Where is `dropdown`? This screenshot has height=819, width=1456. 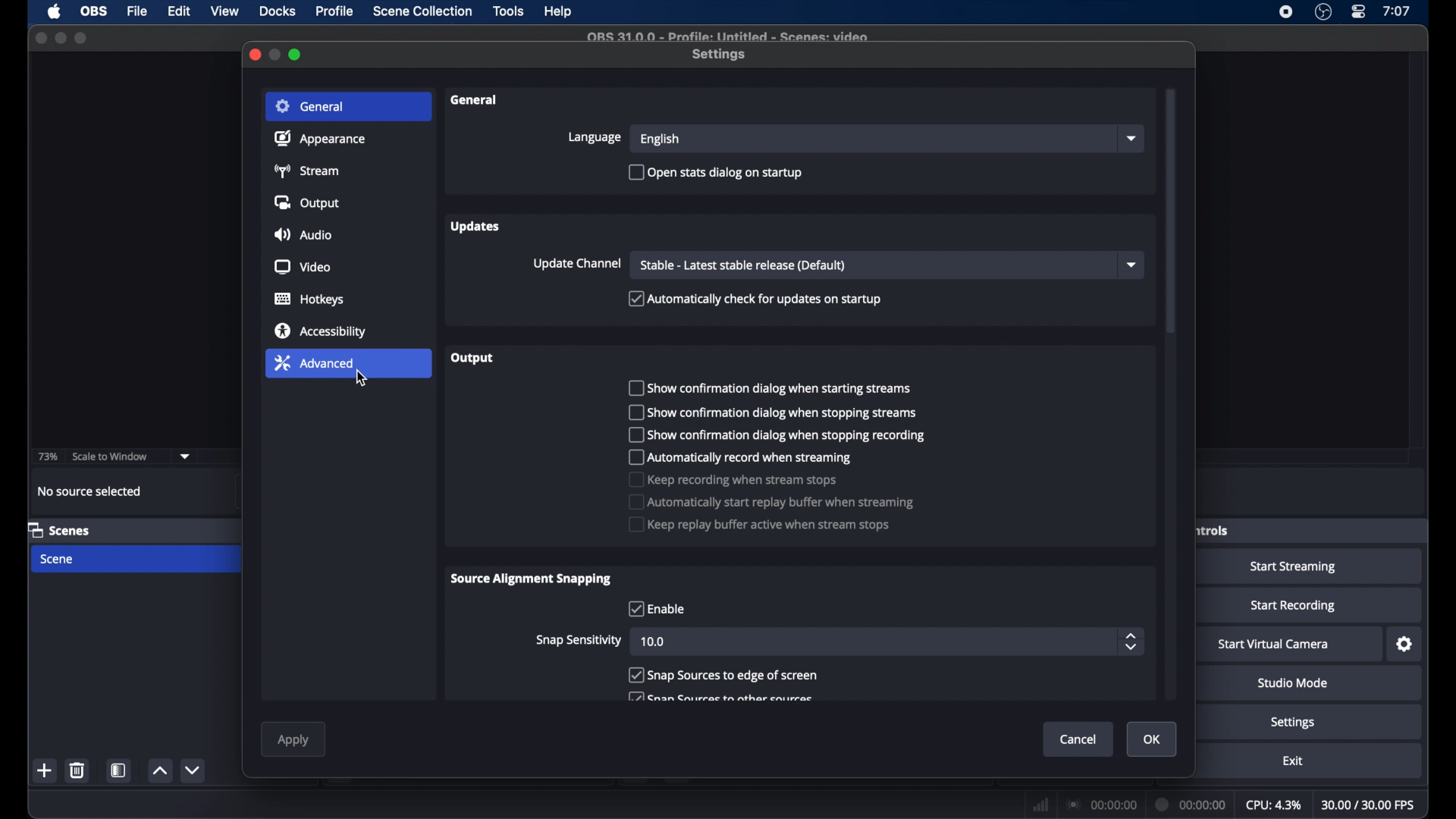 dropdown is located at coordinates (186, 456).